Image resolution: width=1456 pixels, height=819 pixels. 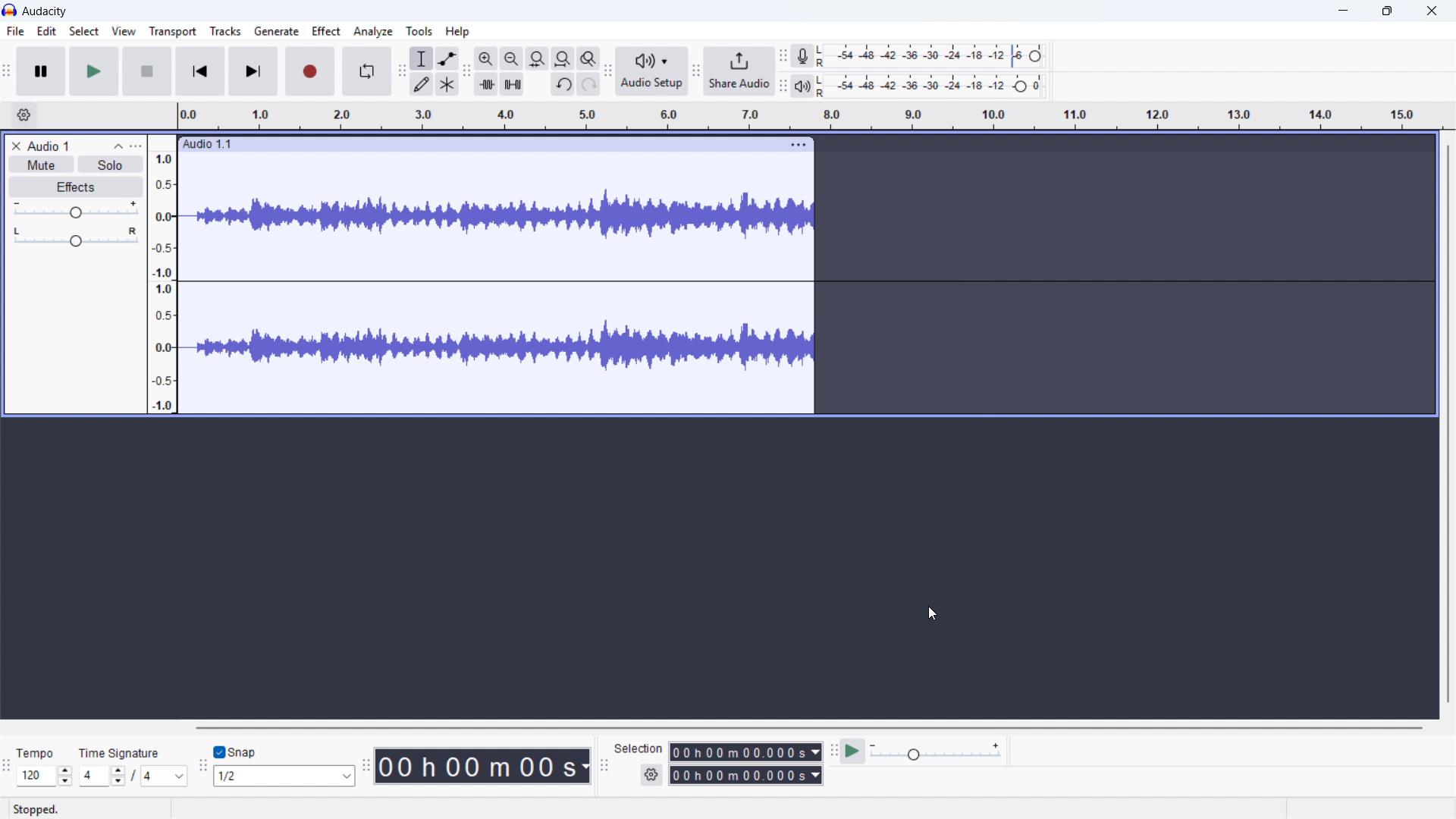 I want to click on Share audio , so click(x=740, y=71).